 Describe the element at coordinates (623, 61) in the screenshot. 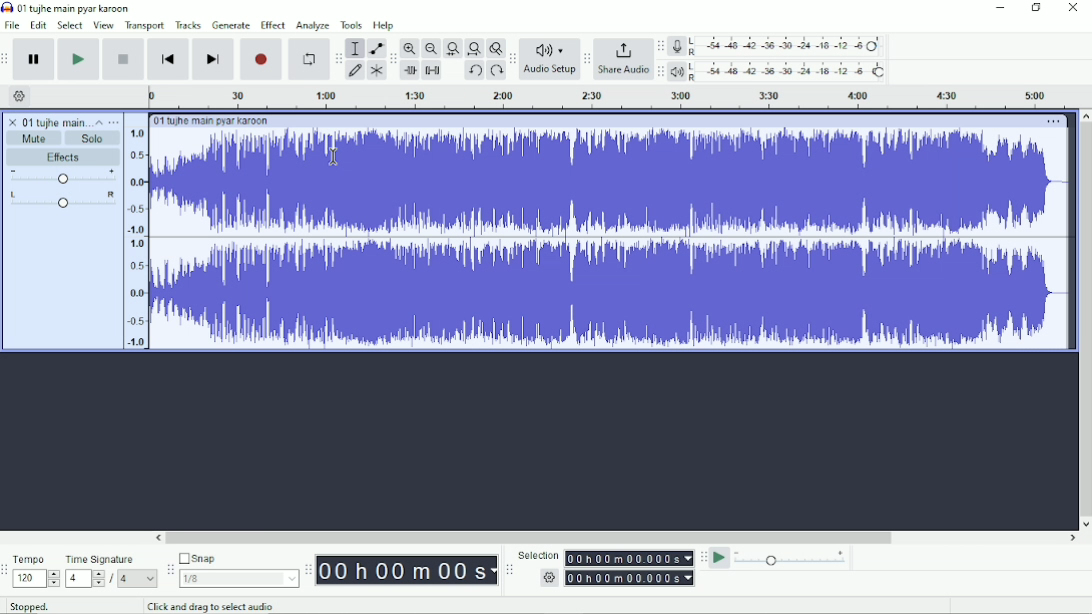

I see `Share Audio` at that location.